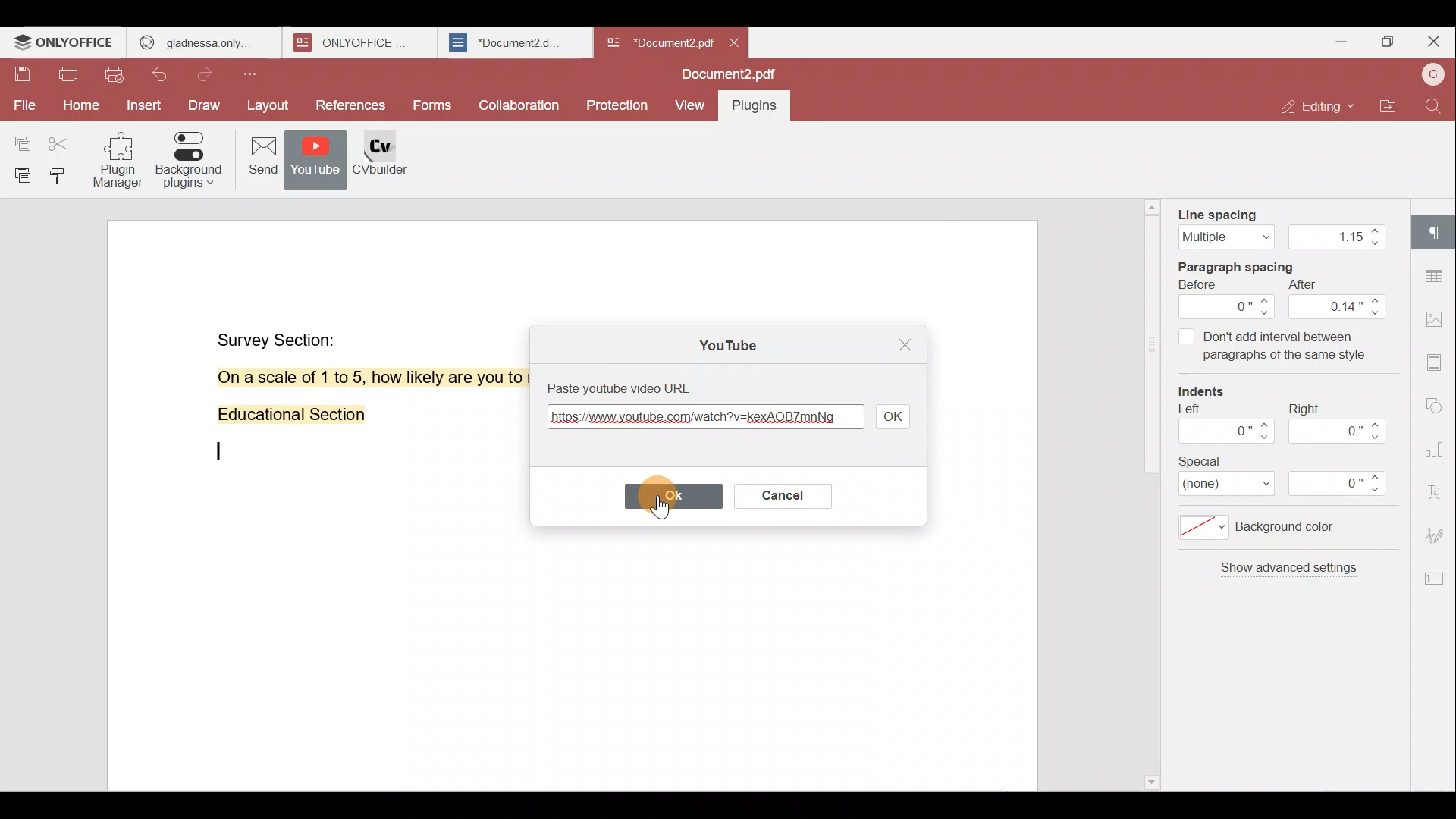  Describe the element at coordinates (268, 106) in the screenshot. I see `Layout` at that location.